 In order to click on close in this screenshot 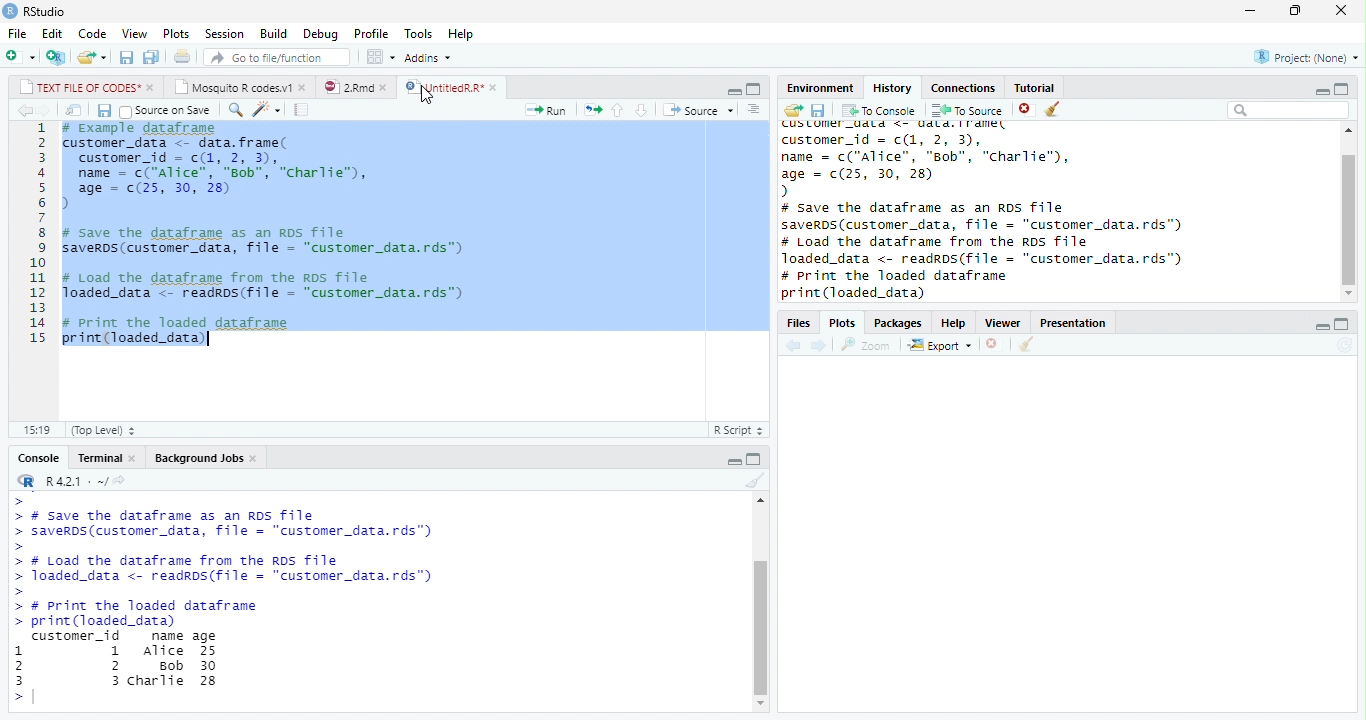, I will do `click(995, 344)`.